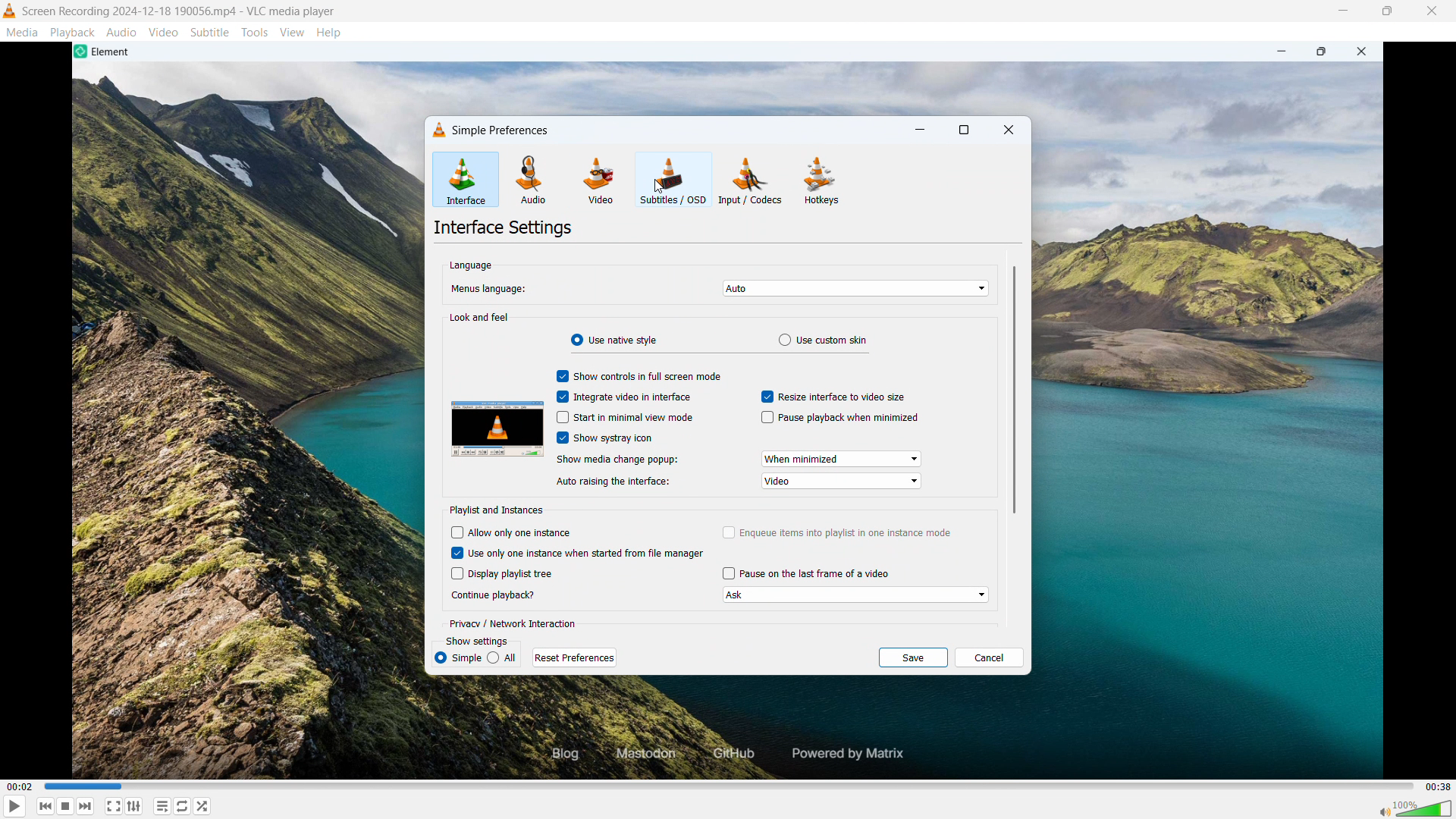 Image resolution: width=1456 pixels, height=819 pixels. Describe the element at coordinates (66, 806) in the screenshot. I see `Forward or next media ` at that location.